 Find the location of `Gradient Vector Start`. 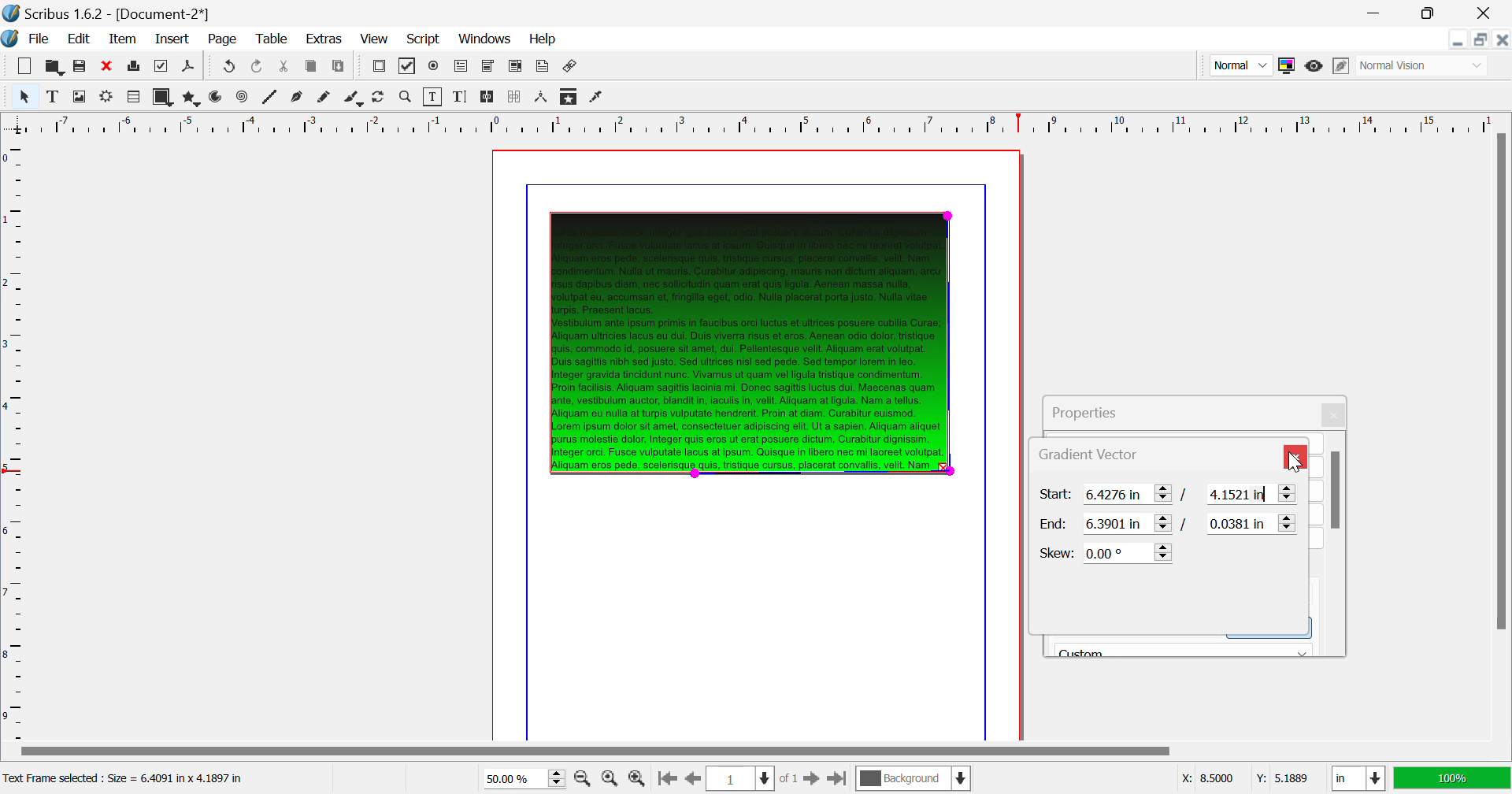

Gradient Vector Start is located at coordinates (1169, 495).